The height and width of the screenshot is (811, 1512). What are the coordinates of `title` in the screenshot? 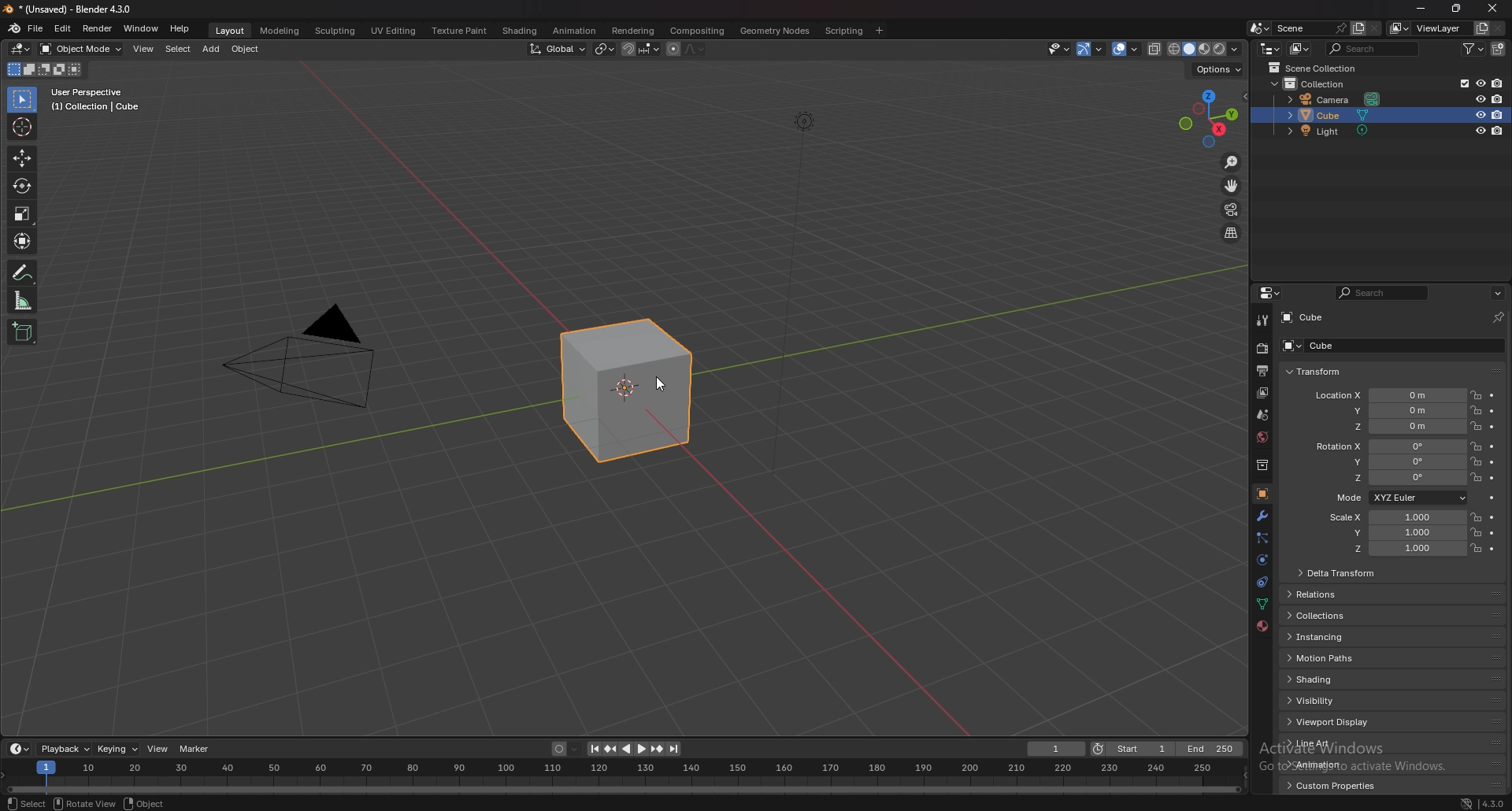 It's located at (71, 9).